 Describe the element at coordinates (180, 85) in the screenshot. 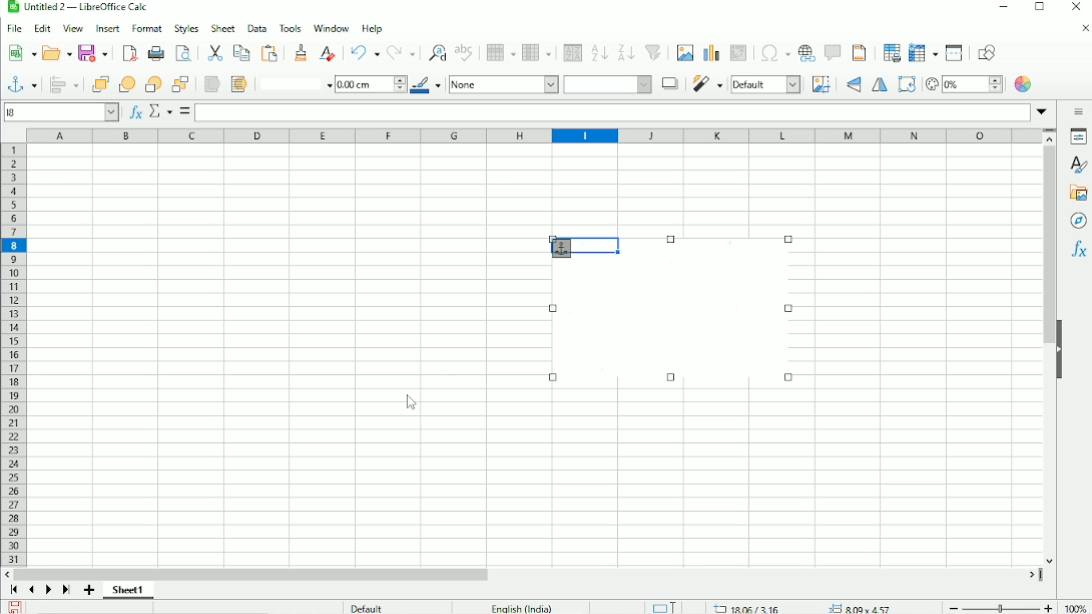

I see `send to back` at that location.